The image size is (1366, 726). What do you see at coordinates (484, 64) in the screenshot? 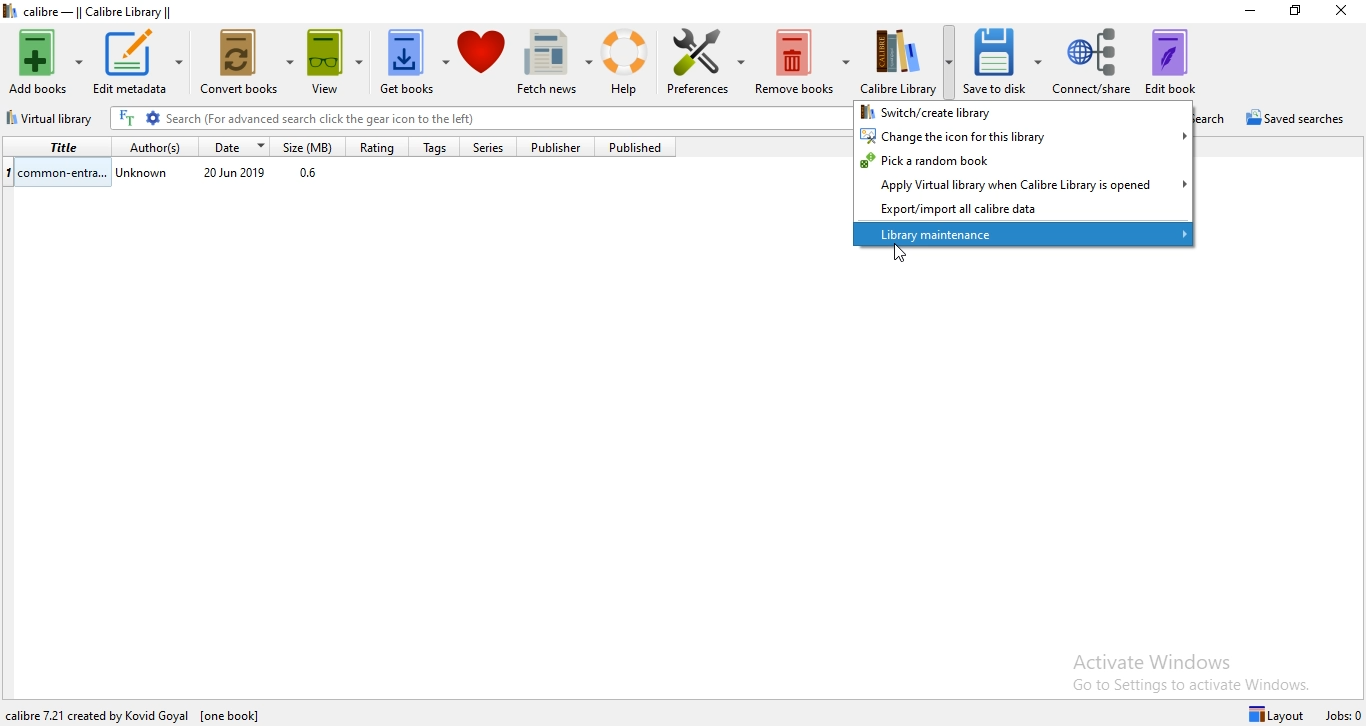
I see `Donate to calibre` at bounding box center [484, 64].